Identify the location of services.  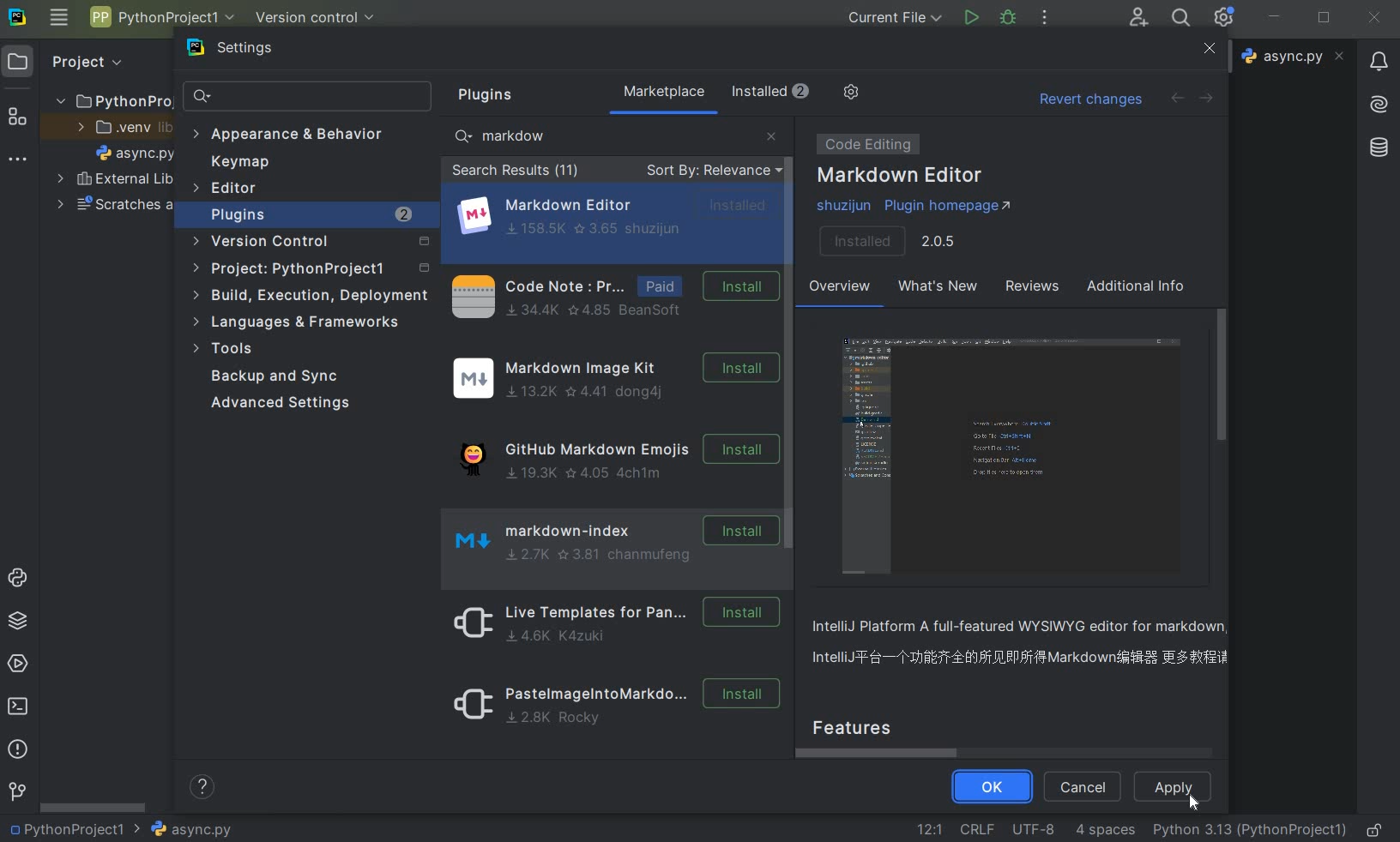
(17, 663).